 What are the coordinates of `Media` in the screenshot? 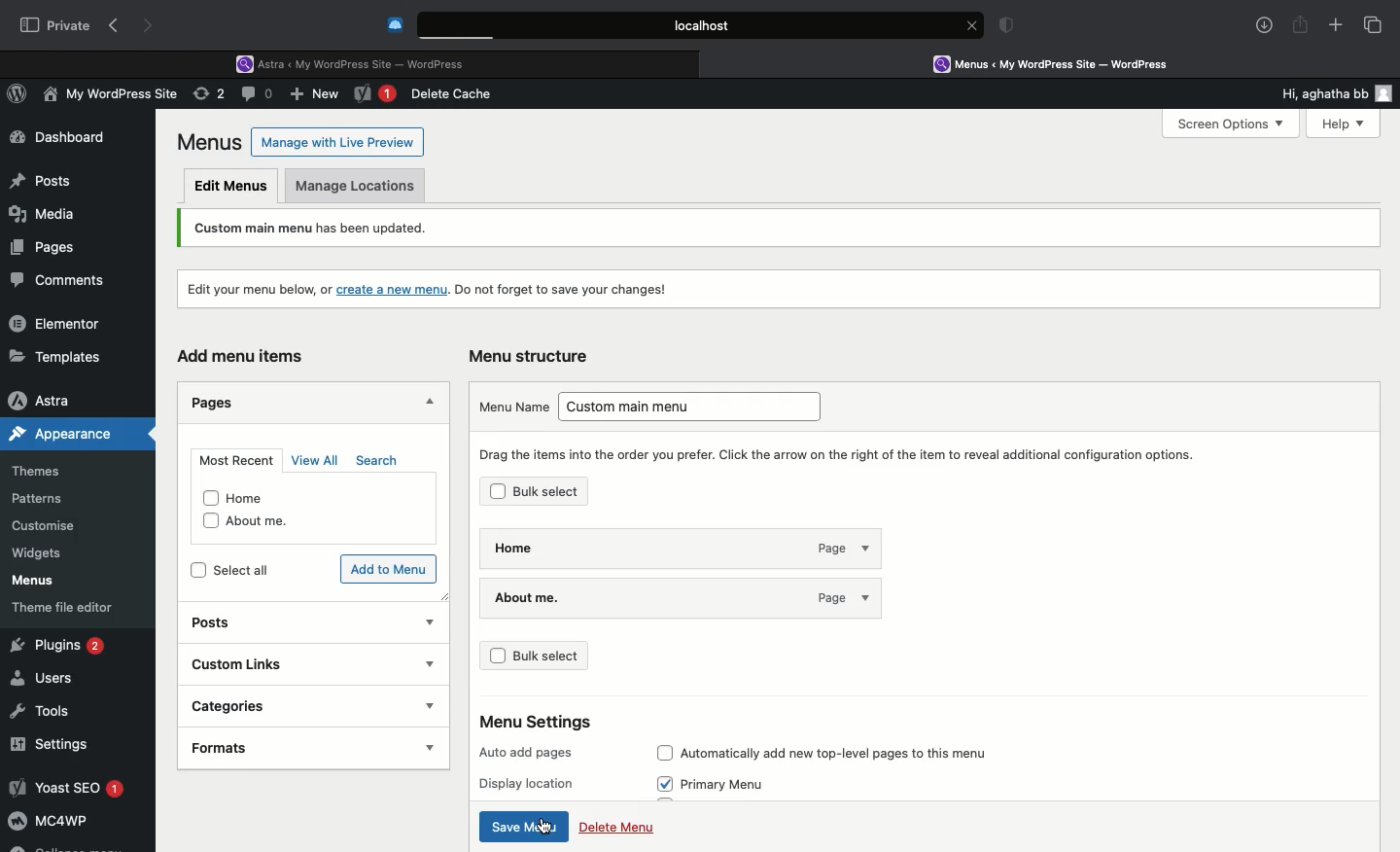 It's located at (45, 211).